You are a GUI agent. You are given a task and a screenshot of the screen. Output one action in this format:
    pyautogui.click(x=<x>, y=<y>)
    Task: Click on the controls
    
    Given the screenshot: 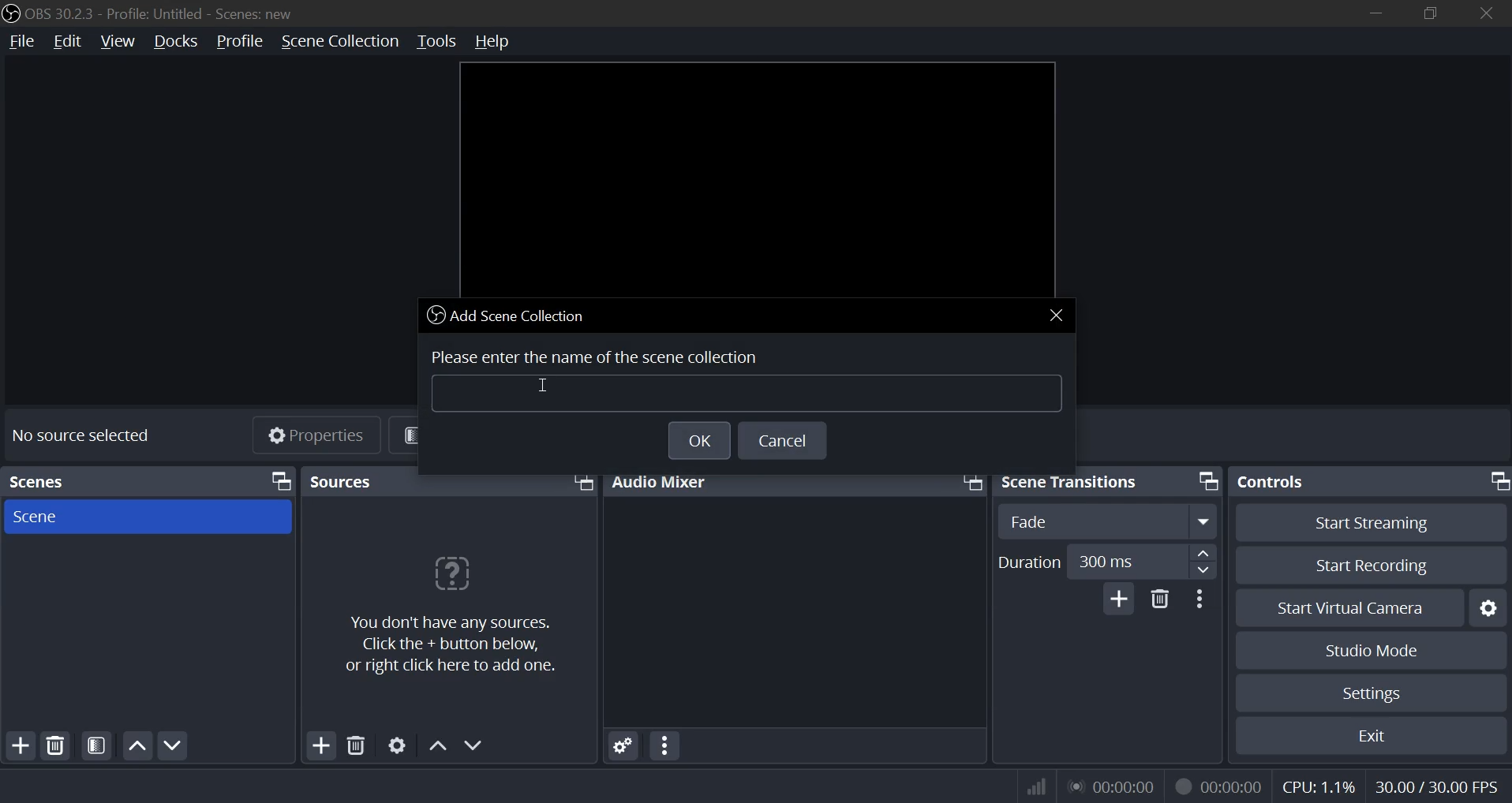 What is the action you would take?
    pyautogui.click(x=1277, y=483)
    